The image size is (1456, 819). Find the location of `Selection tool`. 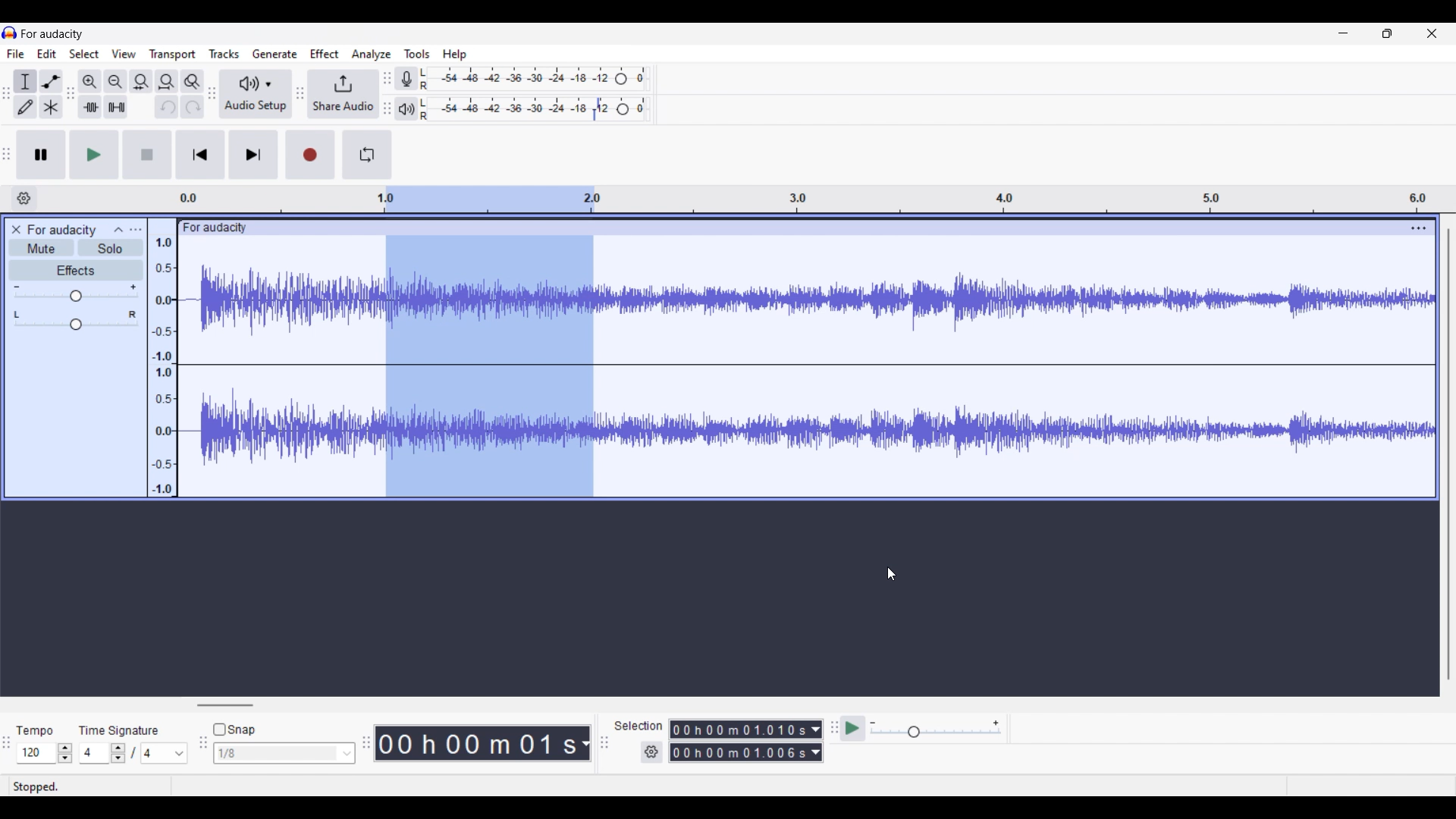

Selection tool is located at coordinates (26, 82).